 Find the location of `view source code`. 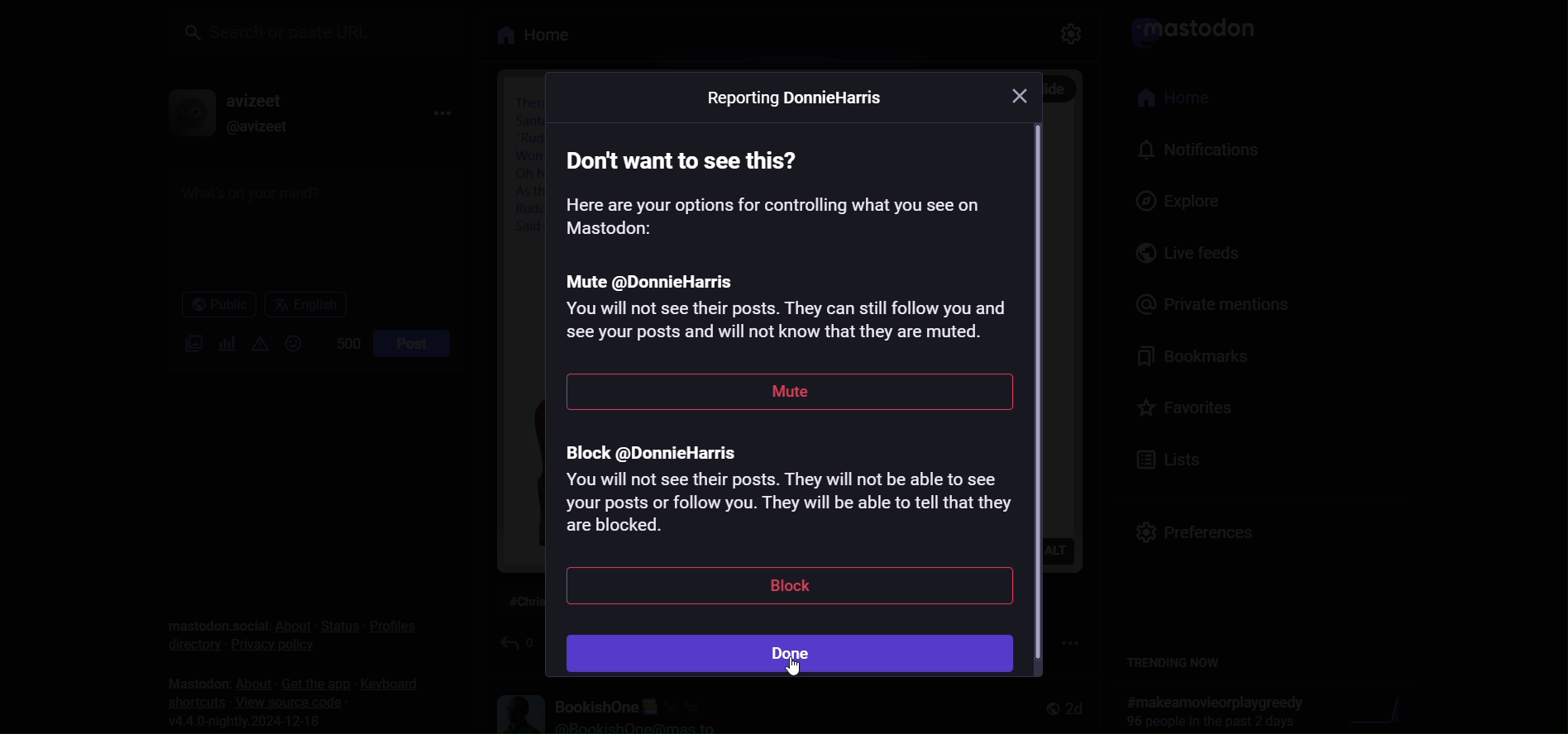

view source code is located at coordinates (292, 702).